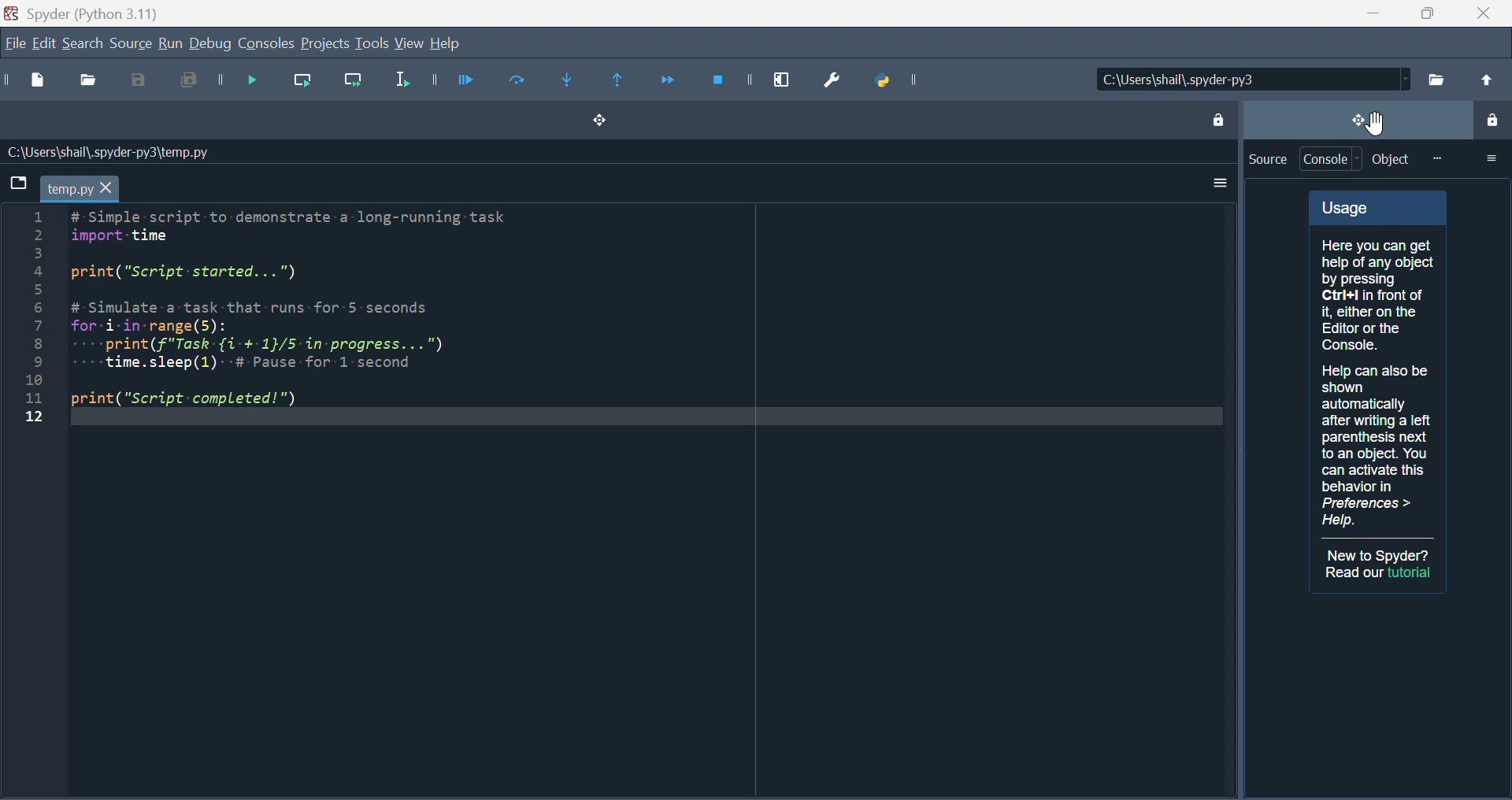  What do you see at coordinates (1436, 158) in the screenshot?
I see `more` at bounding box center [1436, 158].